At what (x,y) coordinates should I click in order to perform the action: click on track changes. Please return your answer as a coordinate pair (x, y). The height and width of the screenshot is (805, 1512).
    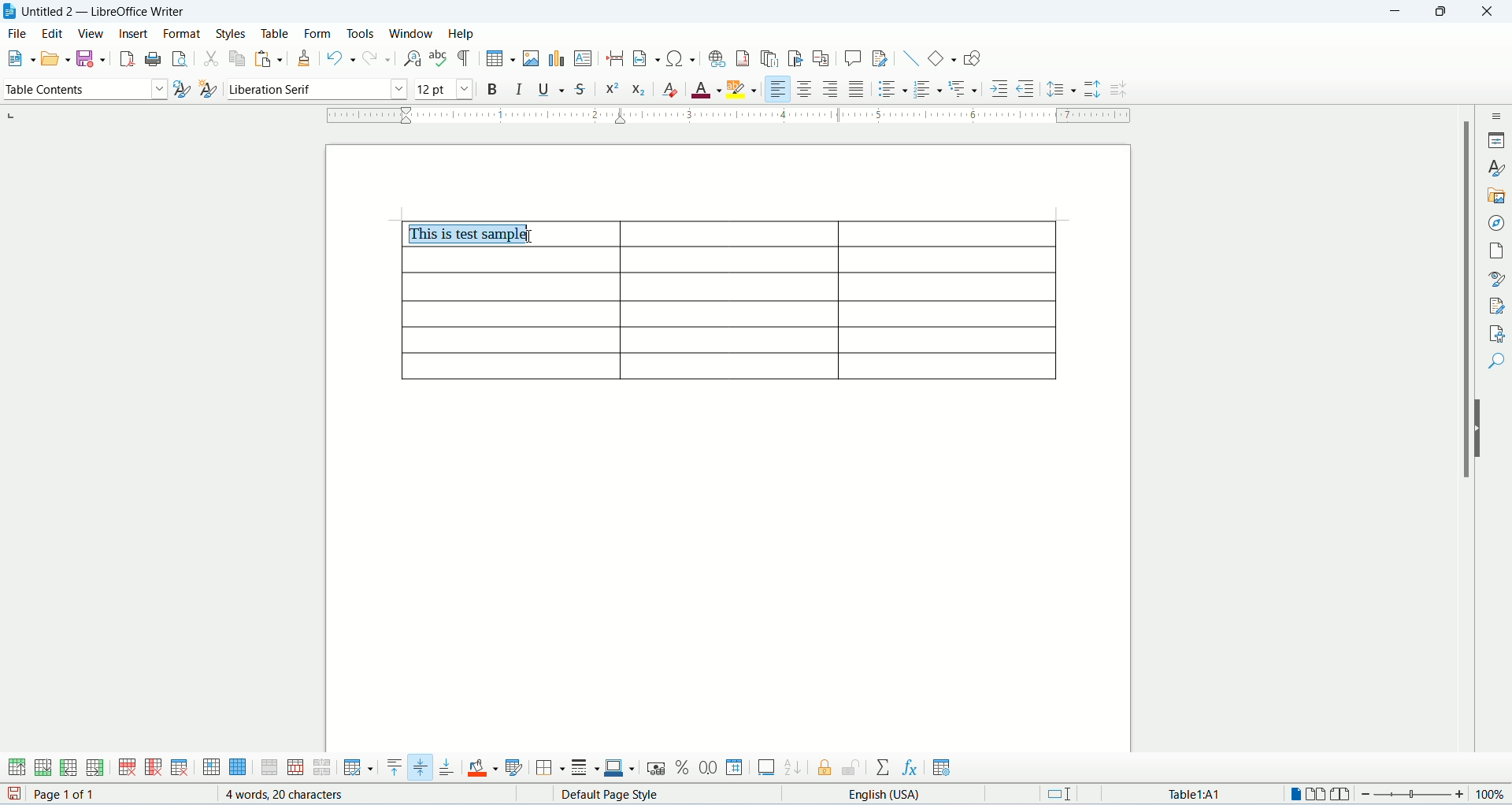
    Looking at the image, I should click on (879, 58).